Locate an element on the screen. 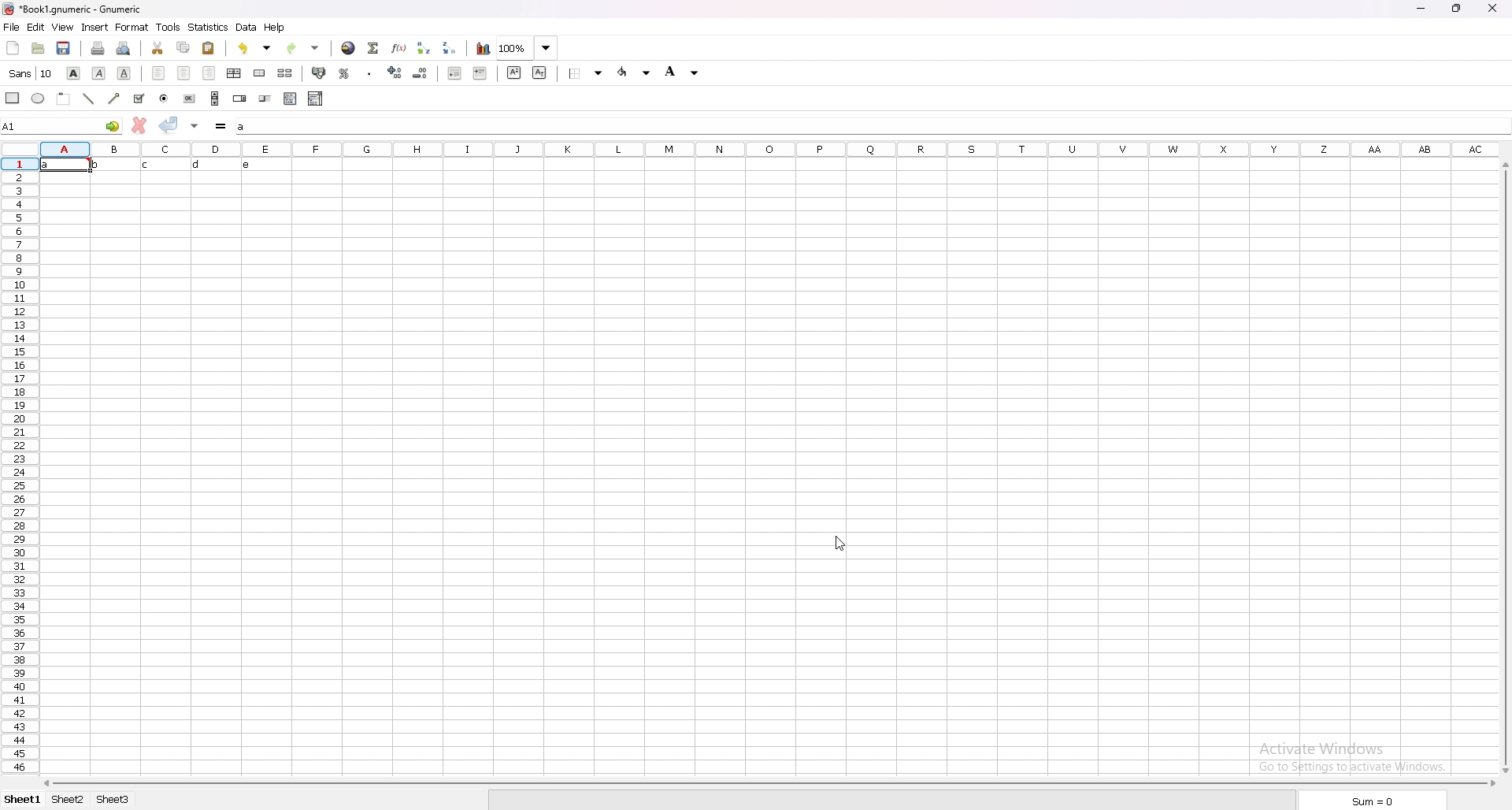 The image size is (1512, 810). button is located at coordinates (188, 98).